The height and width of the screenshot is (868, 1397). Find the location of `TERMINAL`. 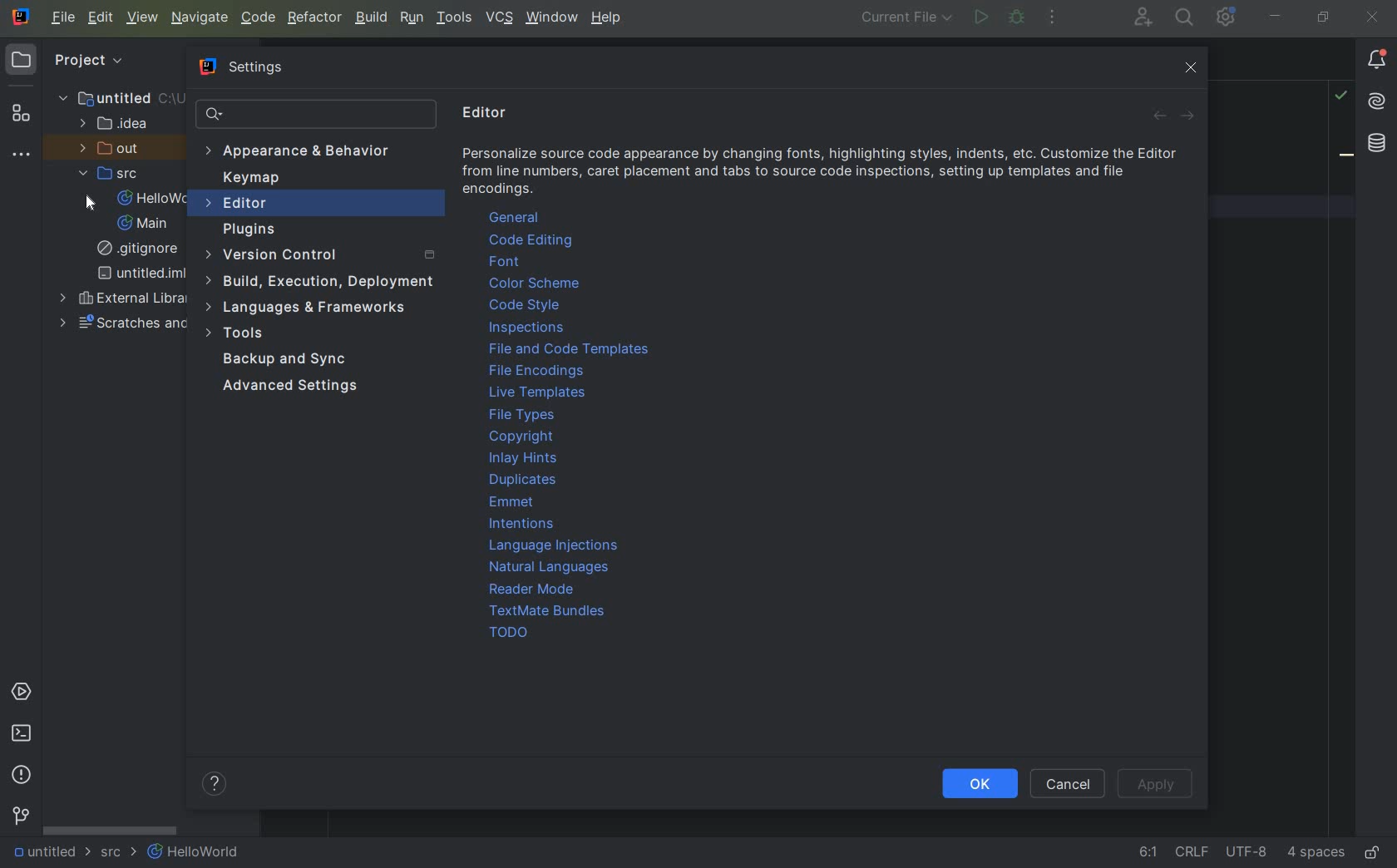

TERMINAL is located at coordinates (20, 734).